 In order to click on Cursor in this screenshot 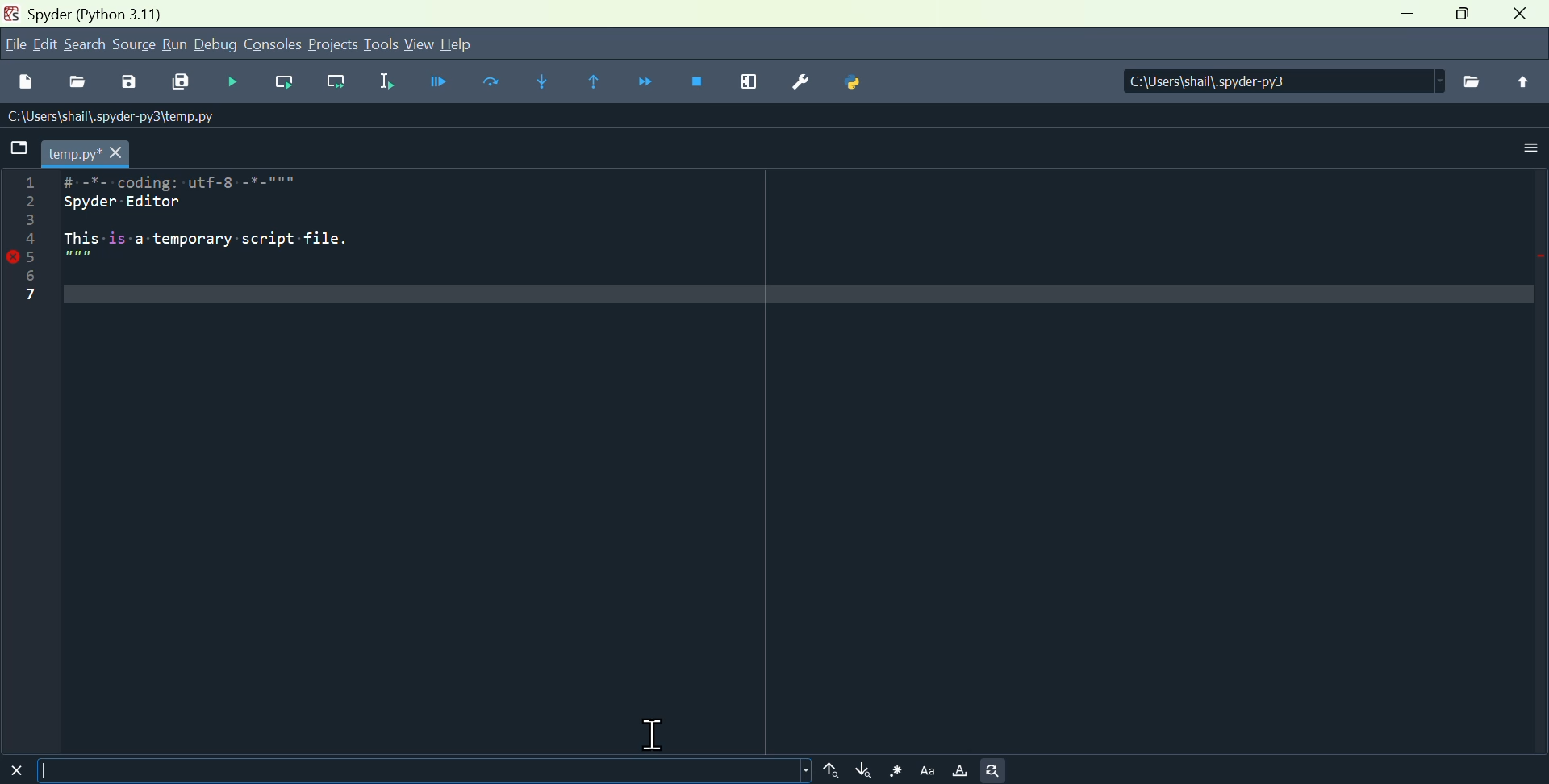, I will do `click(658, 730)`.